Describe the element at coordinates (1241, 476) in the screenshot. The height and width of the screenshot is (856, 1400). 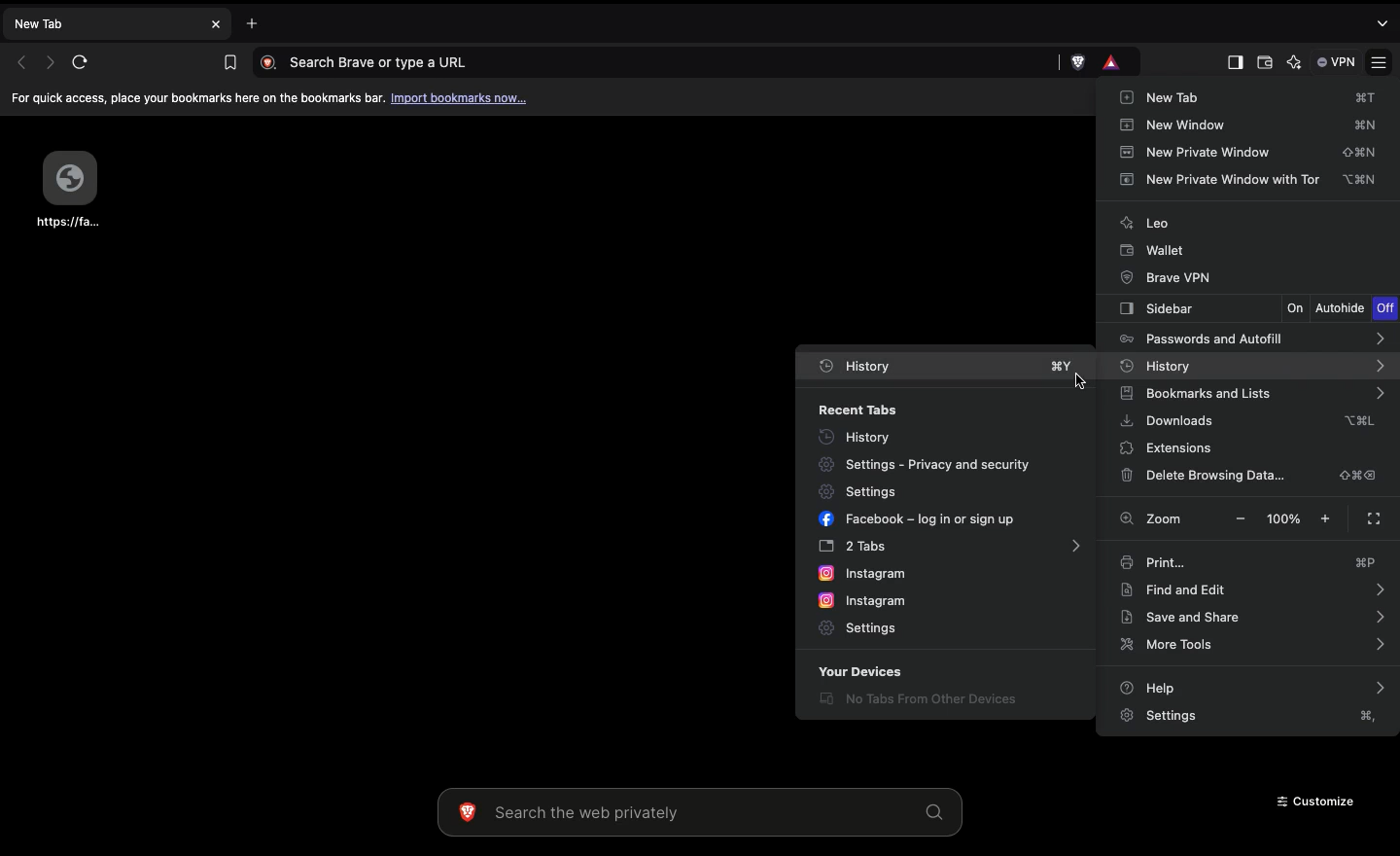
I see `Delete browsing data` at that location.